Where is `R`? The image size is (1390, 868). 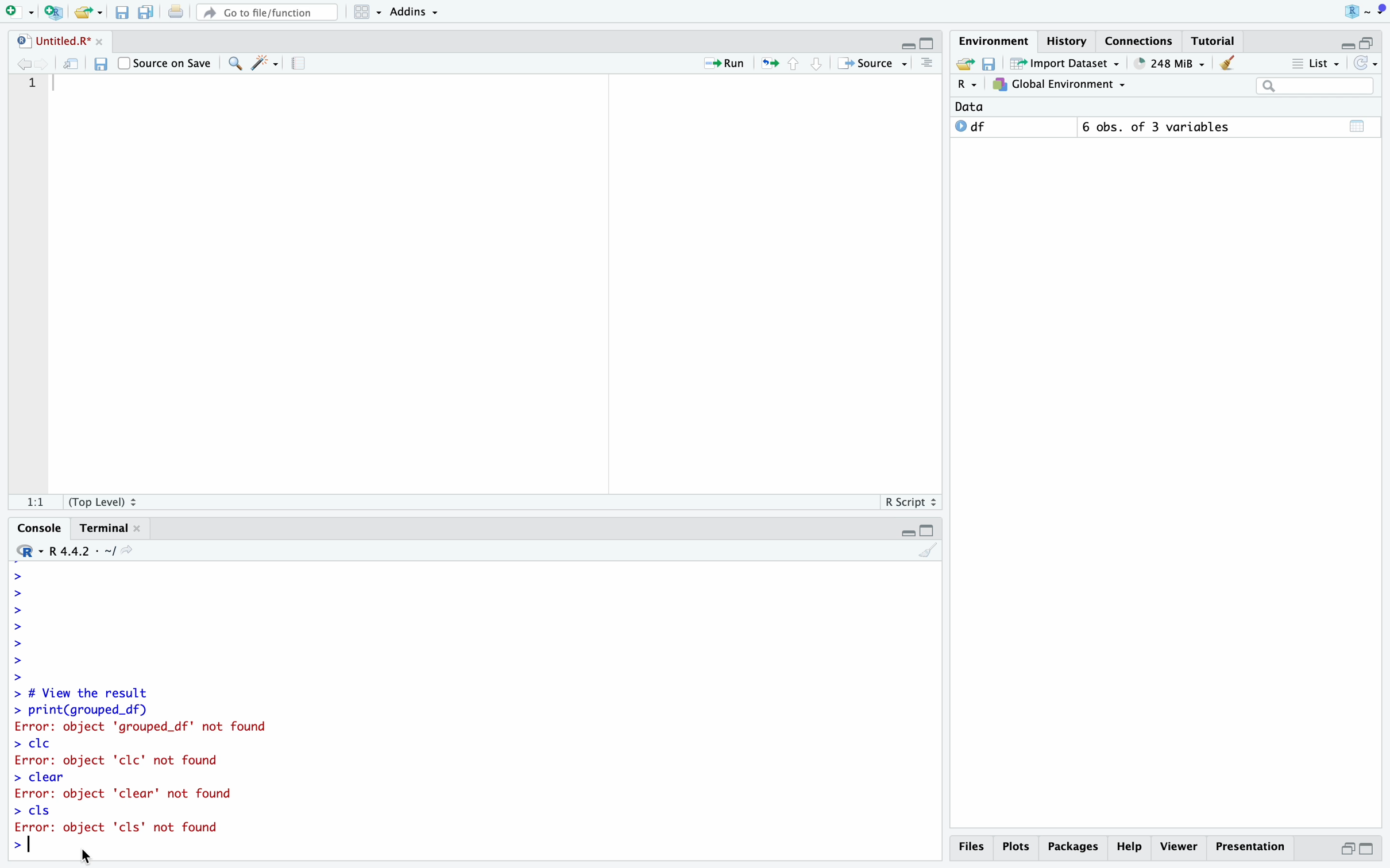 R is located at coordinates (968, 85).